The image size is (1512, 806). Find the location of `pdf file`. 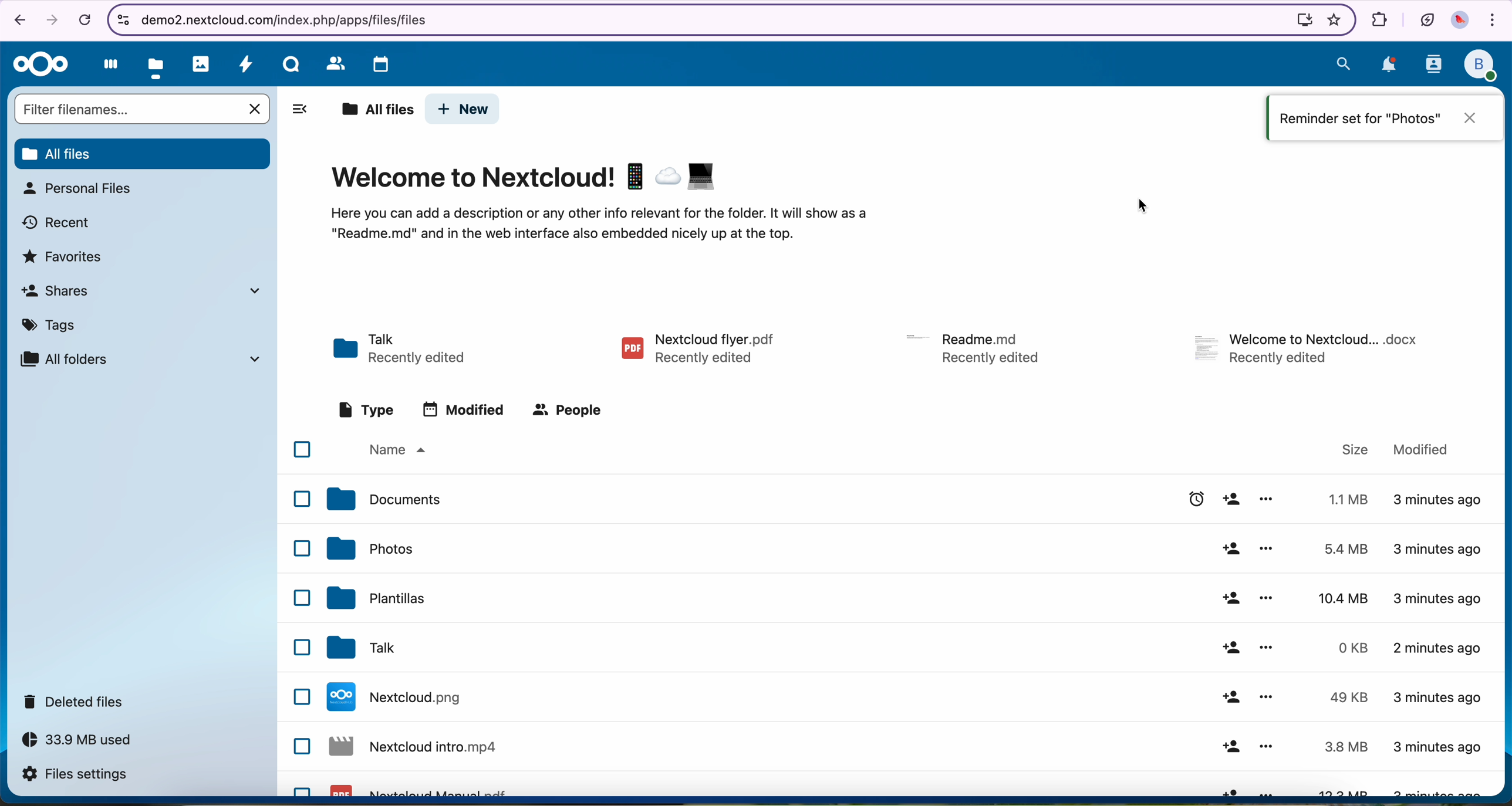

pdf file is located at coordinates (697, 346).